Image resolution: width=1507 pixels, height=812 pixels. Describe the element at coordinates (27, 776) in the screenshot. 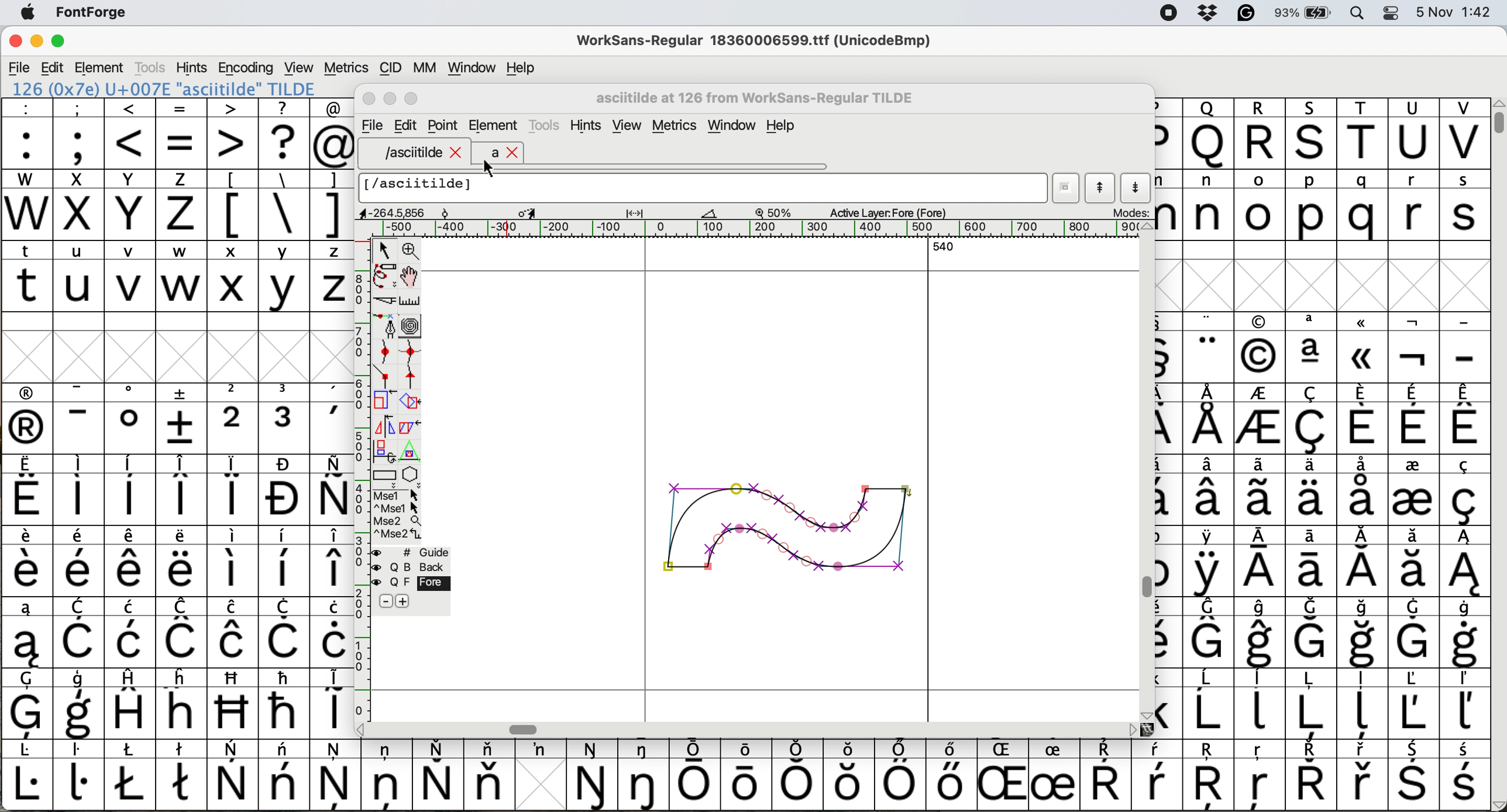

I see `symbol` at that location.